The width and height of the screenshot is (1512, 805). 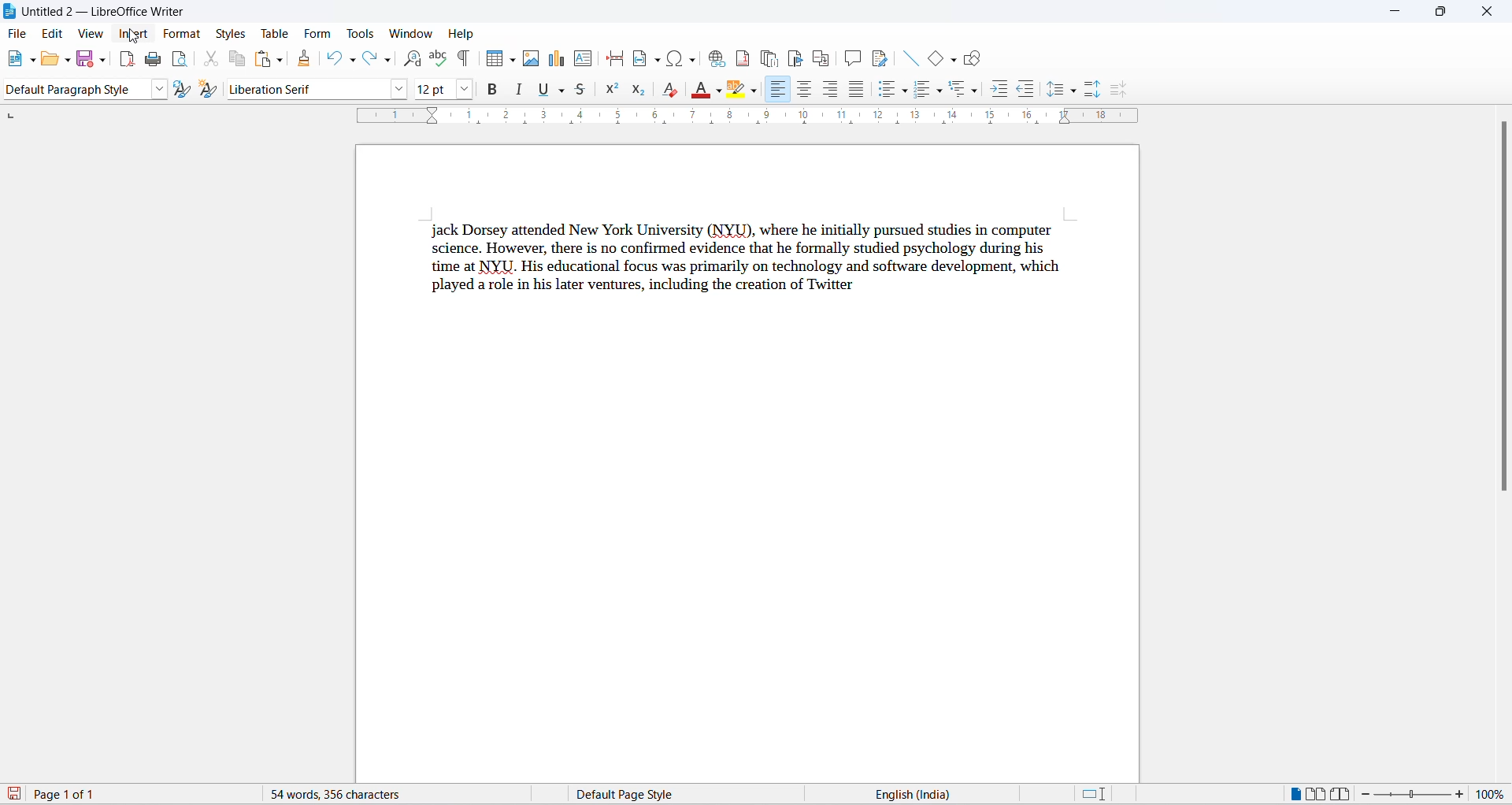 What do you see at coordinates (913, 58) in the screenshot?
I see `line` at bounding box center [913, 58].